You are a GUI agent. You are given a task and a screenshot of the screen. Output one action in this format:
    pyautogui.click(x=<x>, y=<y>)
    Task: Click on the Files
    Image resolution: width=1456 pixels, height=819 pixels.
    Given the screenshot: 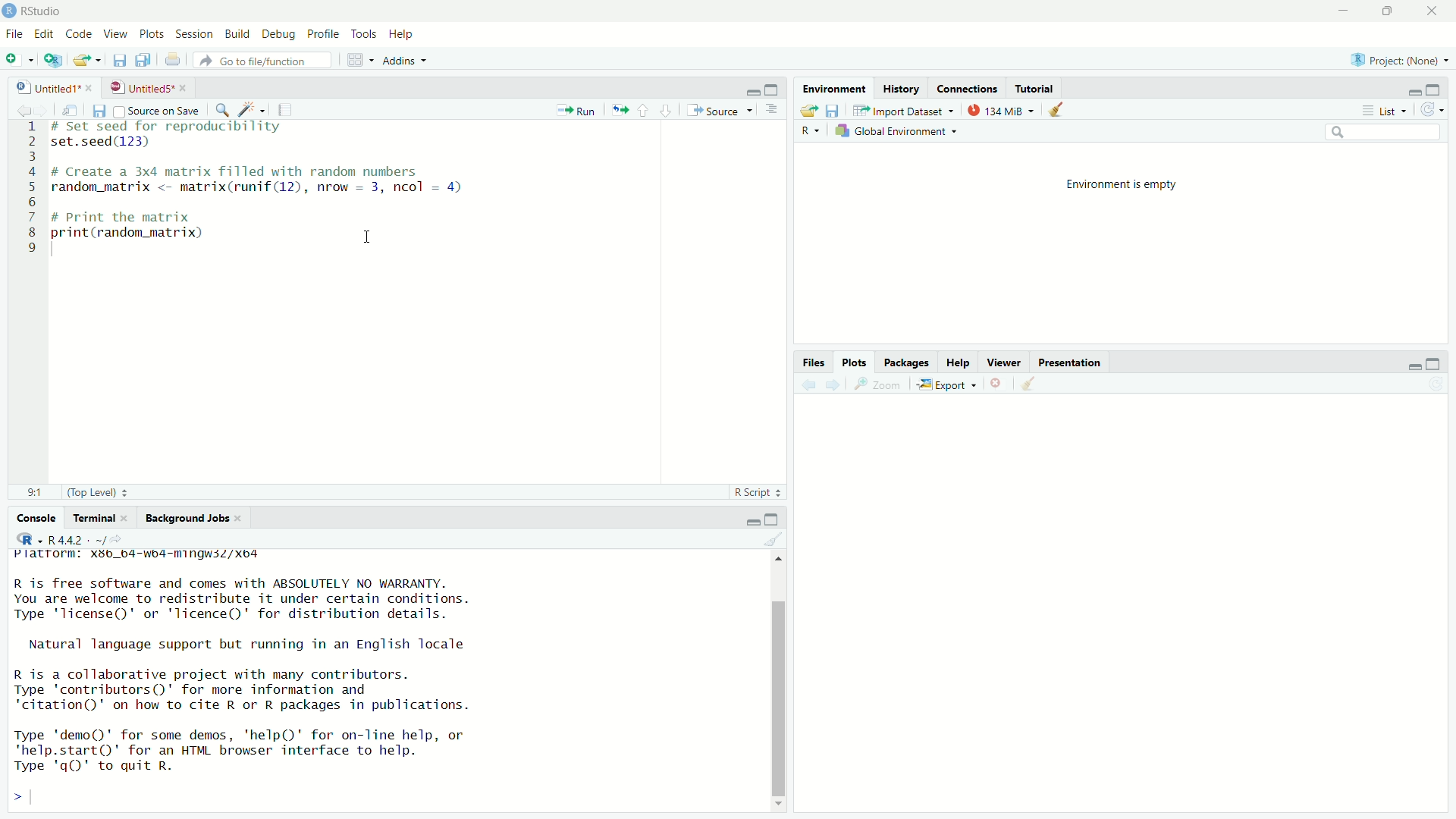 What is the action you would take?
    pyautogui.click(x=816, y=363)
    